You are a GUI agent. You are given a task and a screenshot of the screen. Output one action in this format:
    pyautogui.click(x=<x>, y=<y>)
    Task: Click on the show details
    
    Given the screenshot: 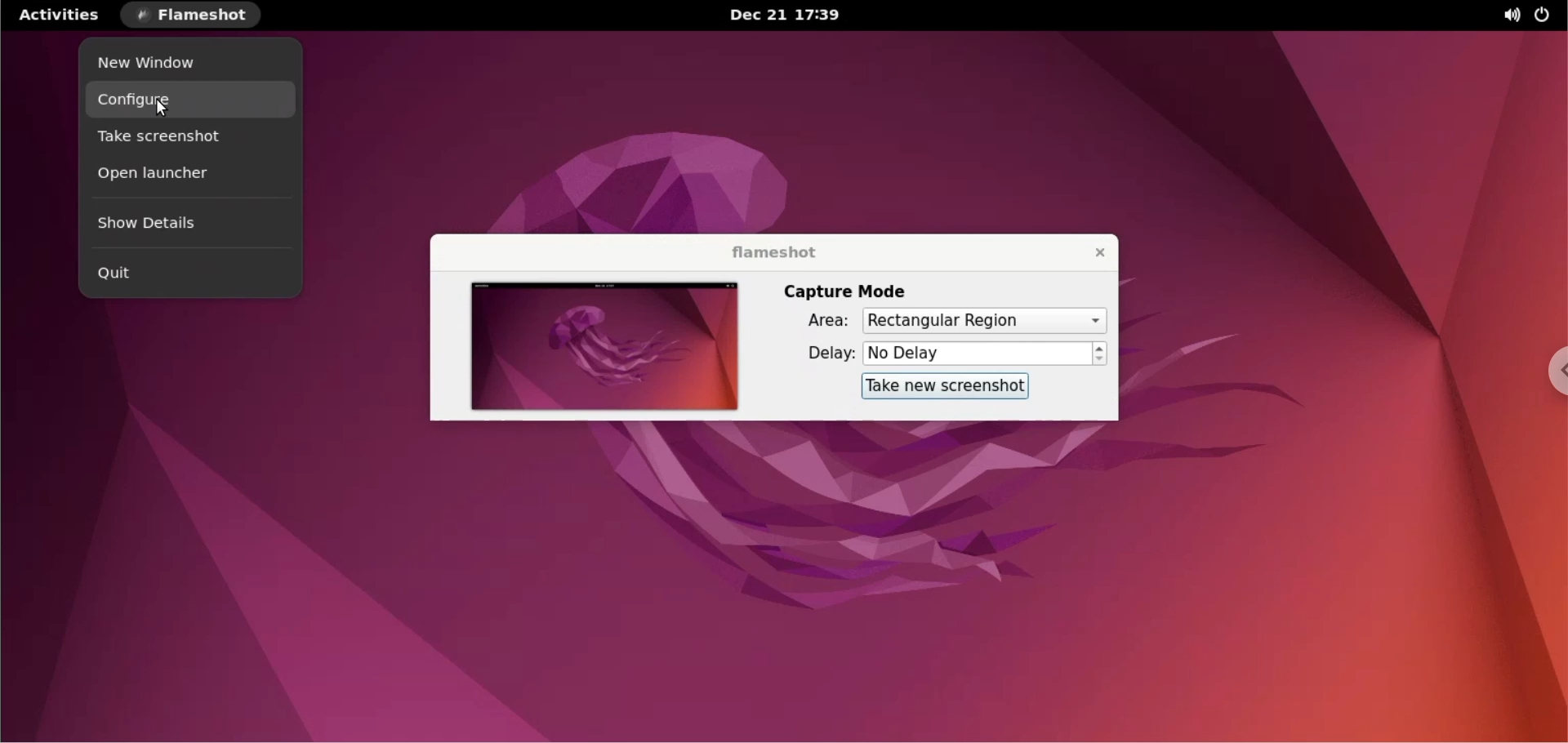 What is the action you would take?
    pyautogui.click(x=189, y=223)
    